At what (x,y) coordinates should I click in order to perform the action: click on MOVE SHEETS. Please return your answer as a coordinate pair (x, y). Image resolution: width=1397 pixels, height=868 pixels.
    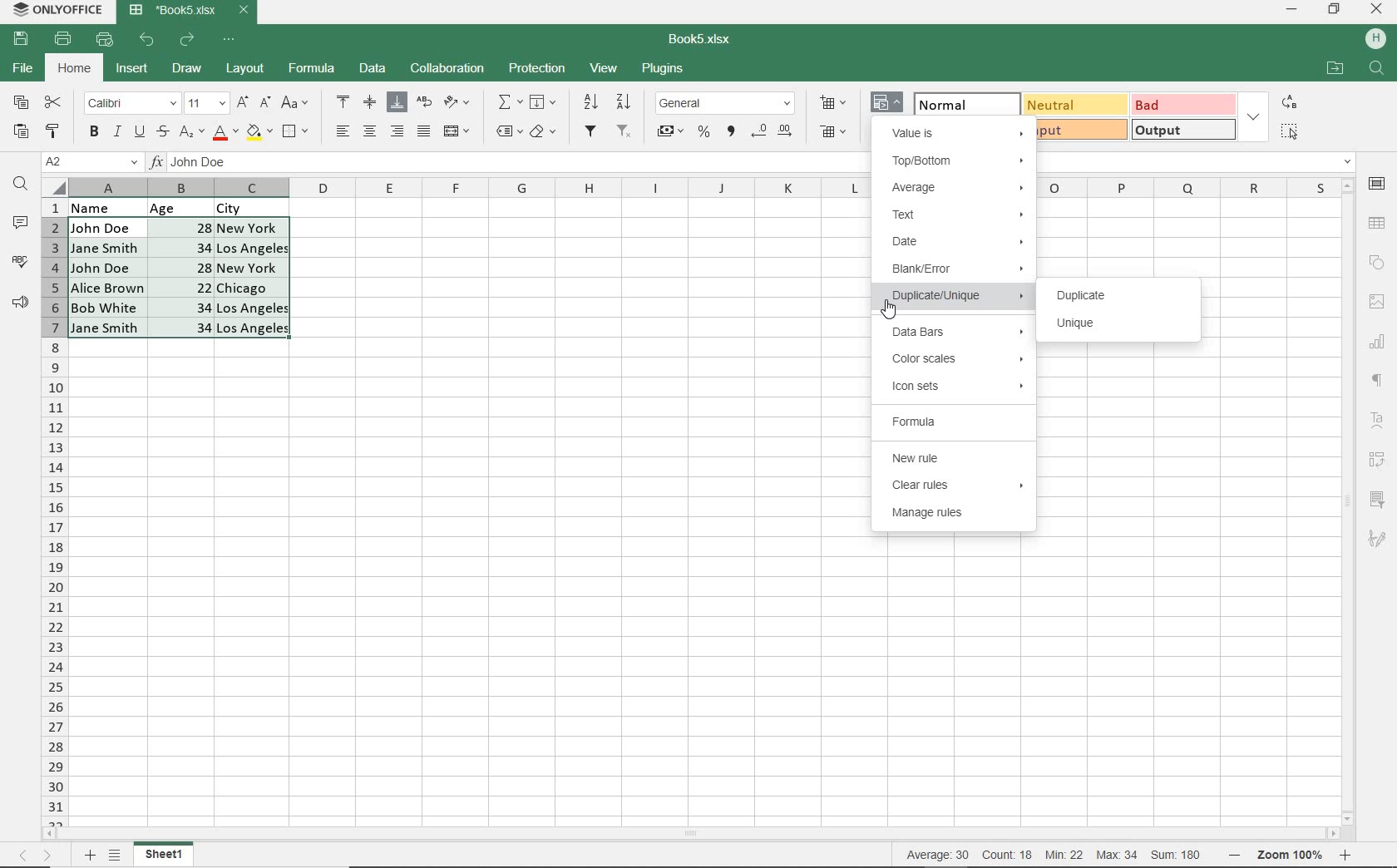
    Looking at the image, I should click on (35, 856).